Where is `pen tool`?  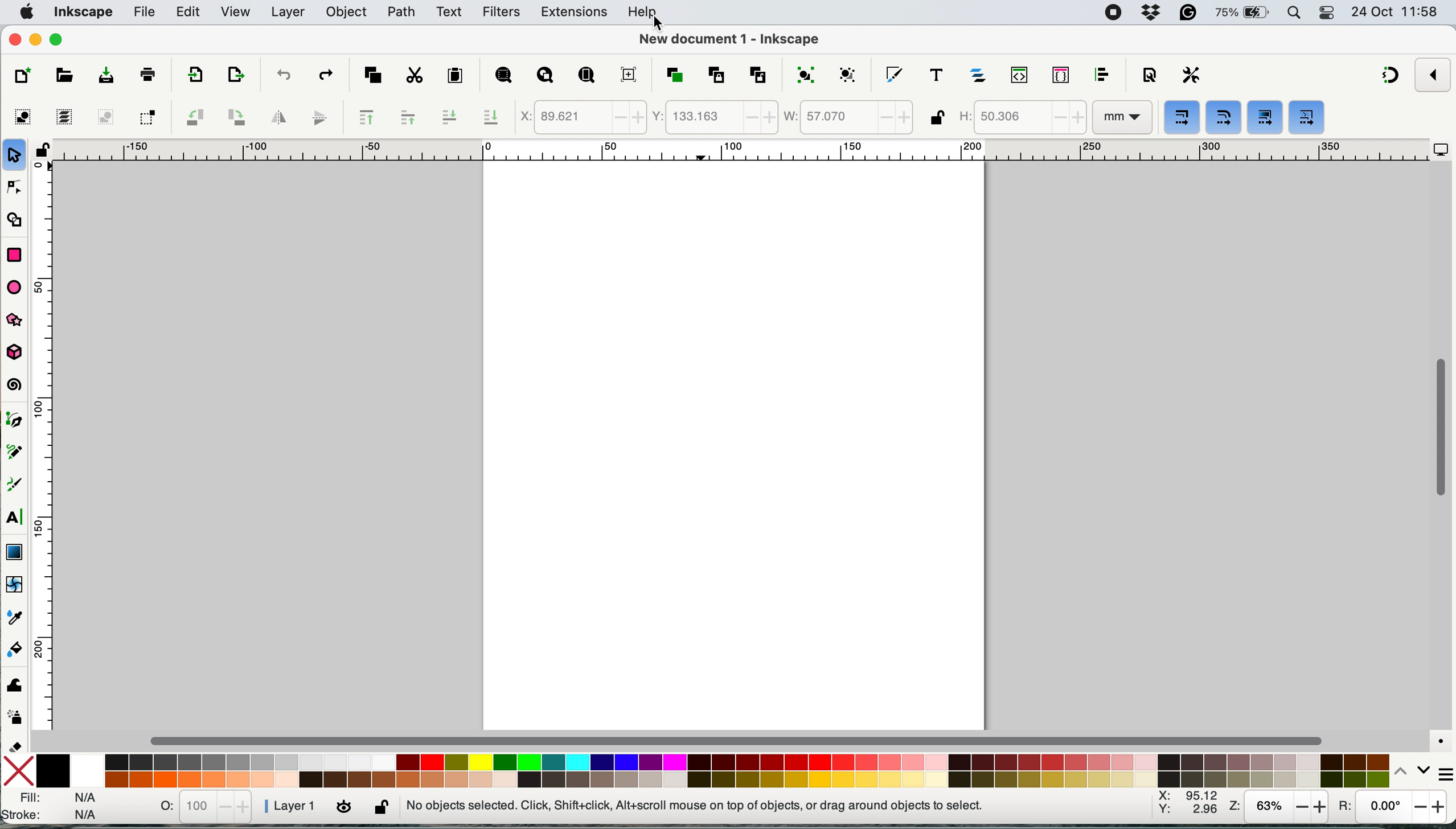 pen tool is located at coordinates (15, 420).